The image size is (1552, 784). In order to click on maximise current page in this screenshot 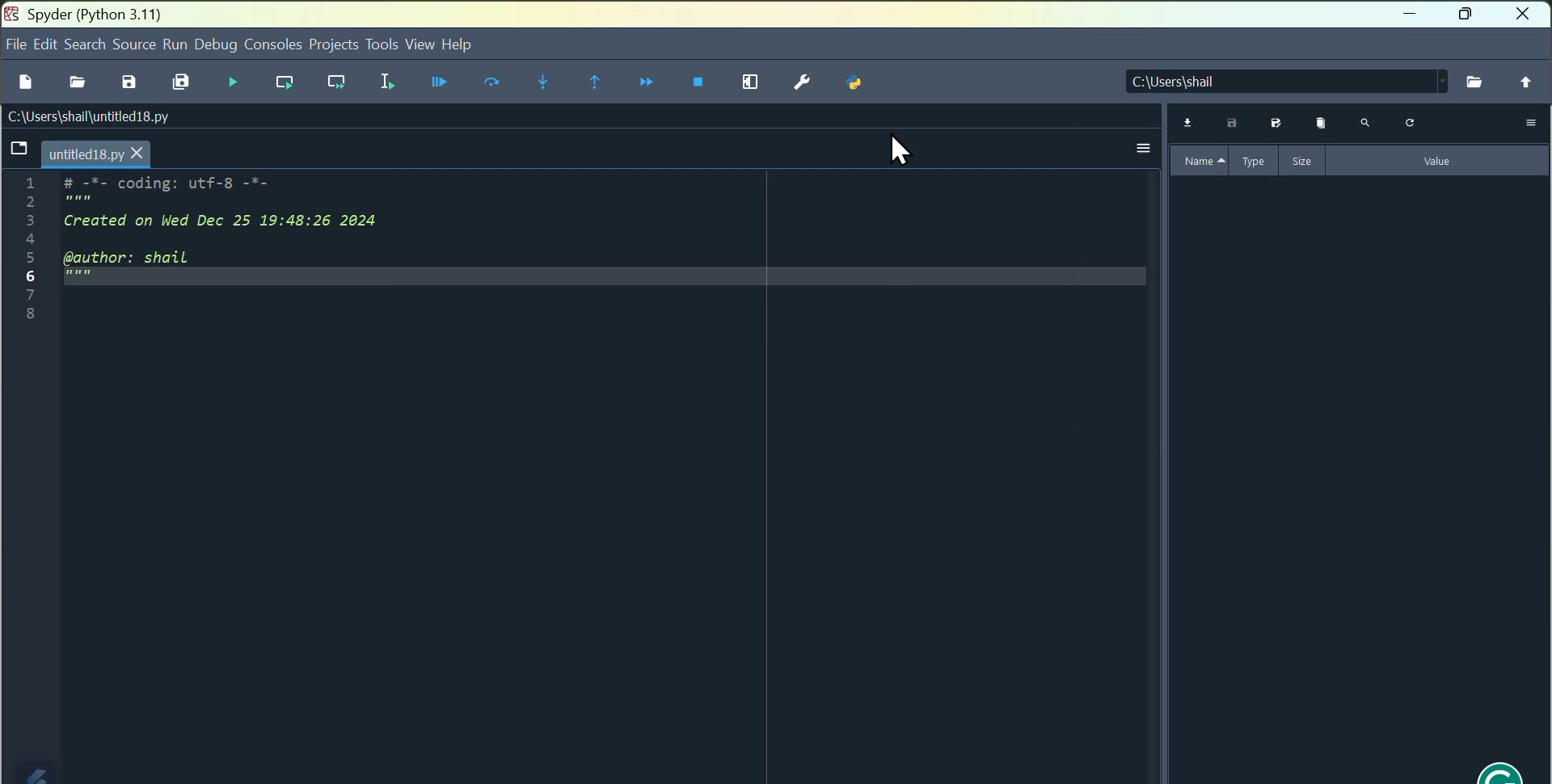, I will do `click(746, 86)`.